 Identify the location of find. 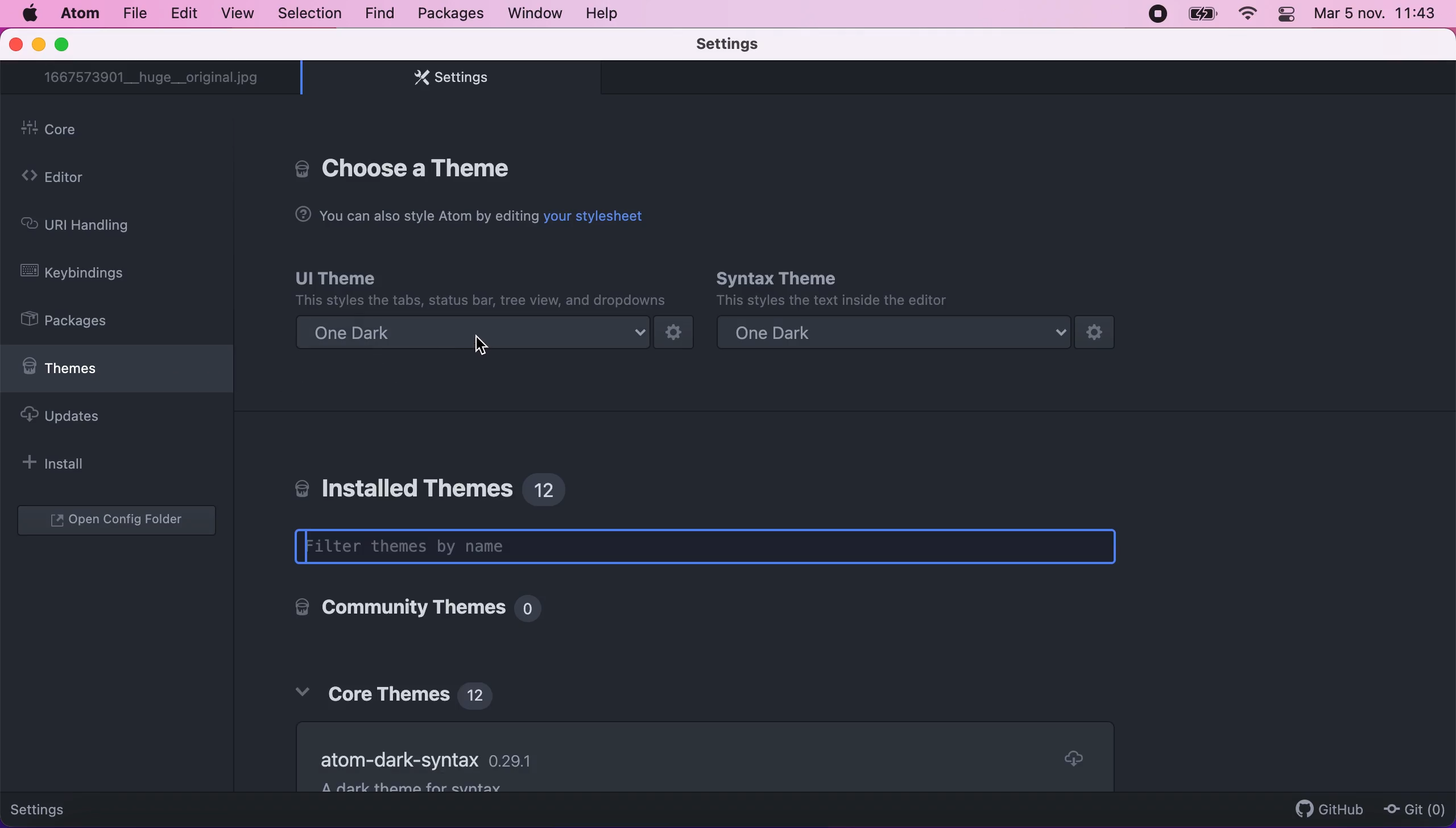
(377, 13).